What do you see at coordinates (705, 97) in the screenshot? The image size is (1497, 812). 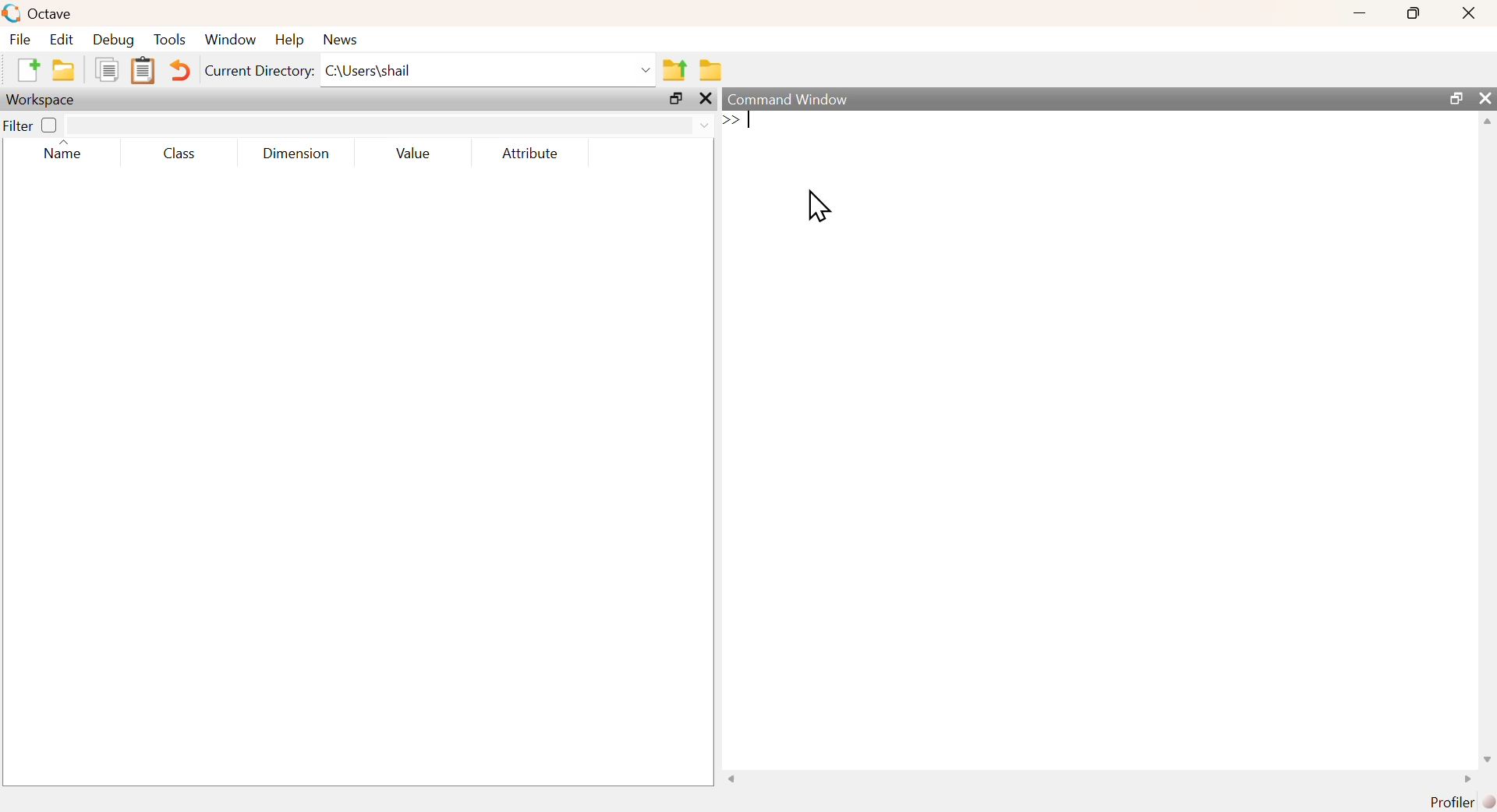 I see `close` at bounding box center [705, 97].